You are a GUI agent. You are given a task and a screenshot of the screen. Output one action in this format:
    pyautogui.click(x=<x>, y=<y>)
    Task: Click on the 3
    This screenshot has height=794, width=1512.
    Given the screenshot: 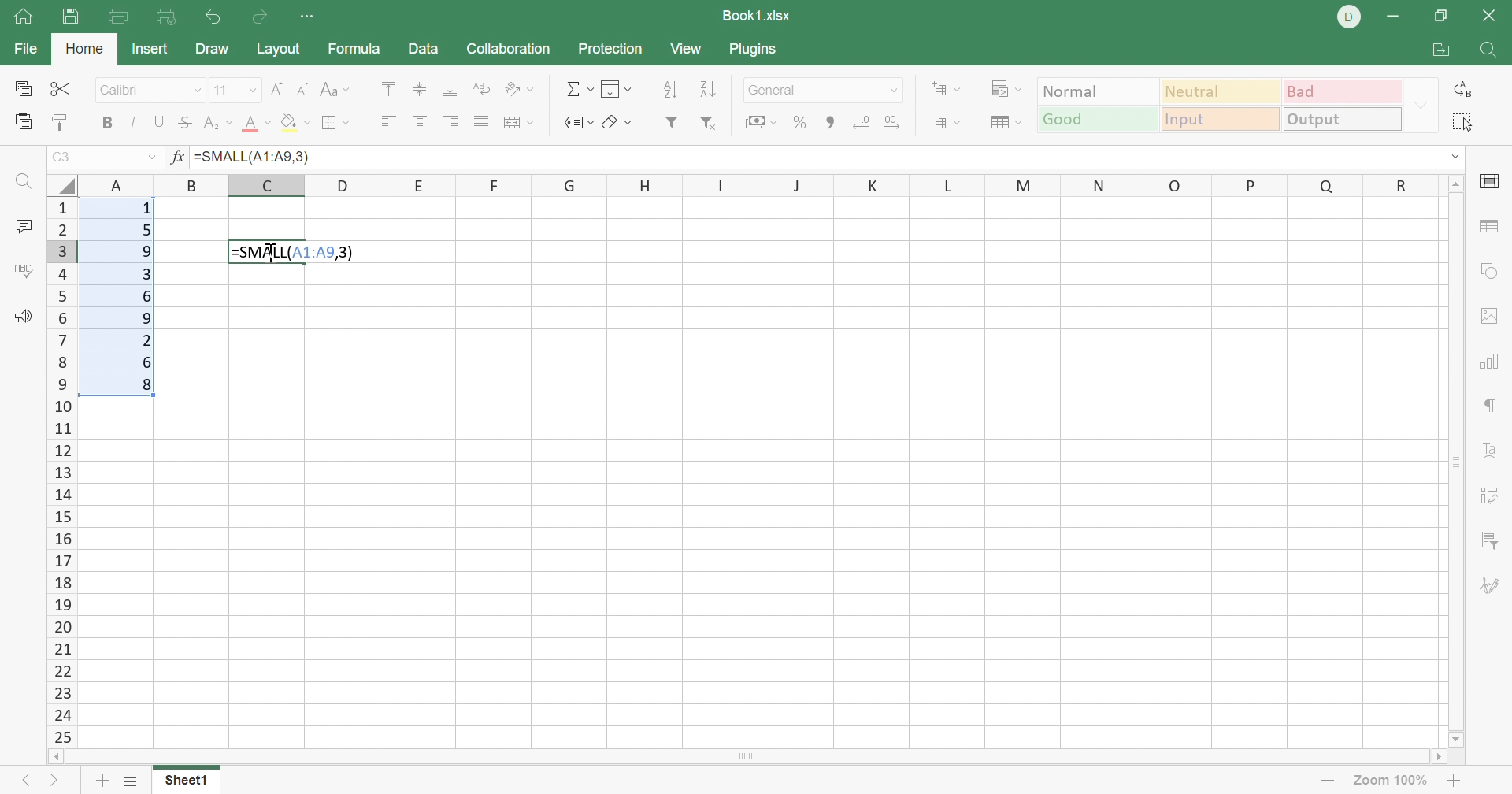 What is the action you would take?
    pyautogui.click(x=146, y=276)
    